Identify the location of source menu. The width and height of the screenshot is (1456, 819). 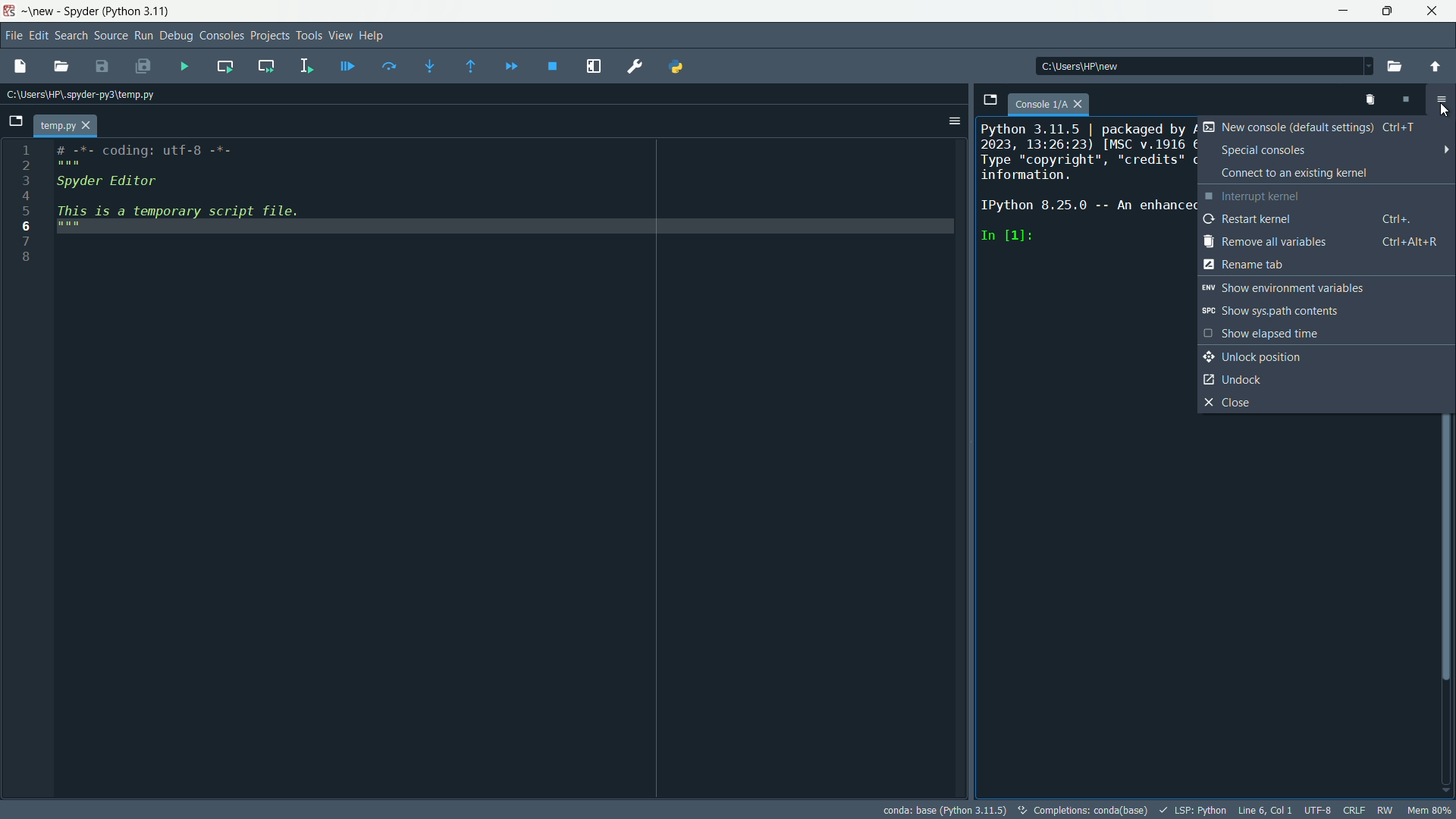
(111, 35).